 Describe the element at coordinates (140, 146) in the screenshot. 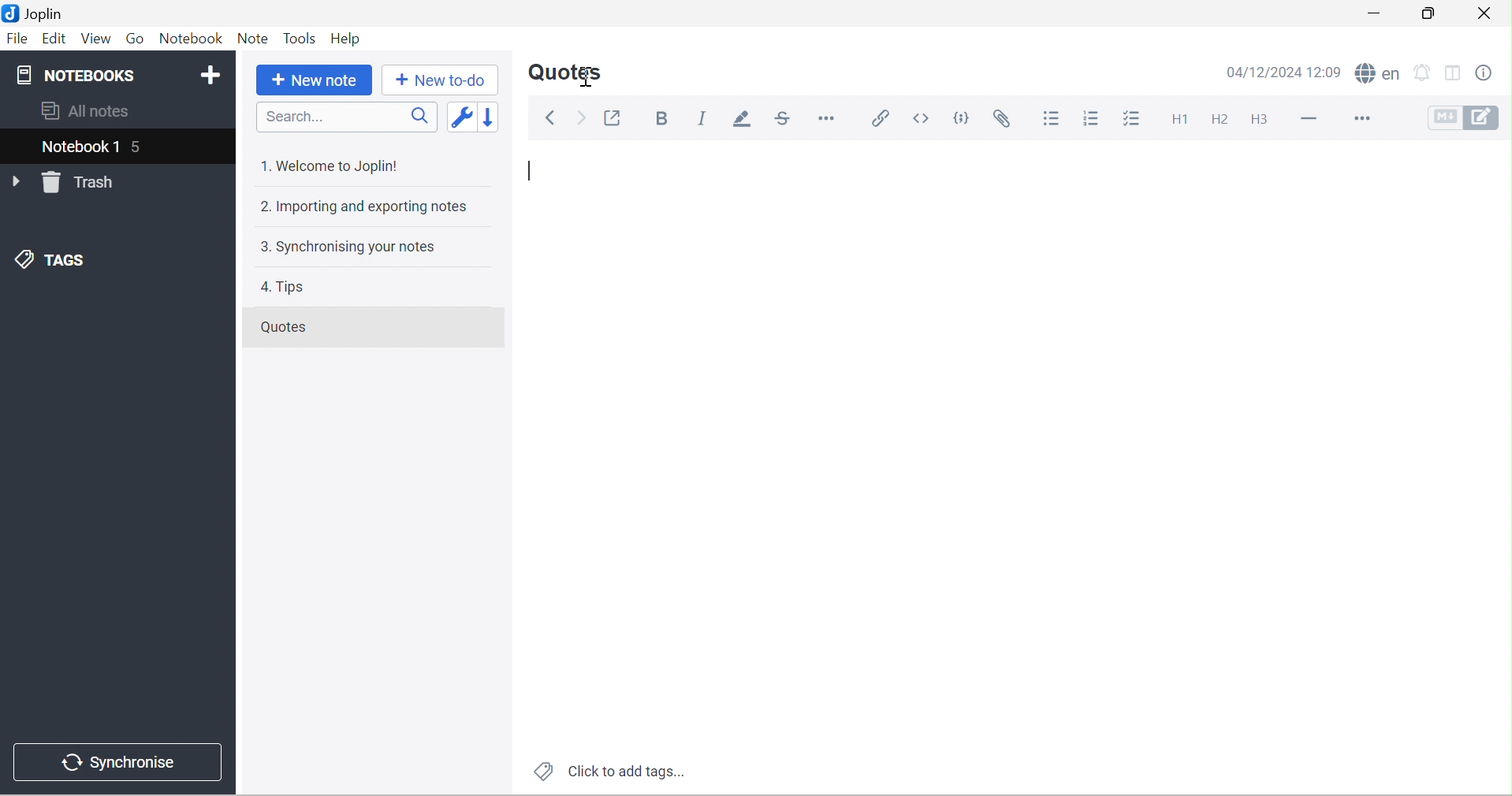

I see `5` at that location.